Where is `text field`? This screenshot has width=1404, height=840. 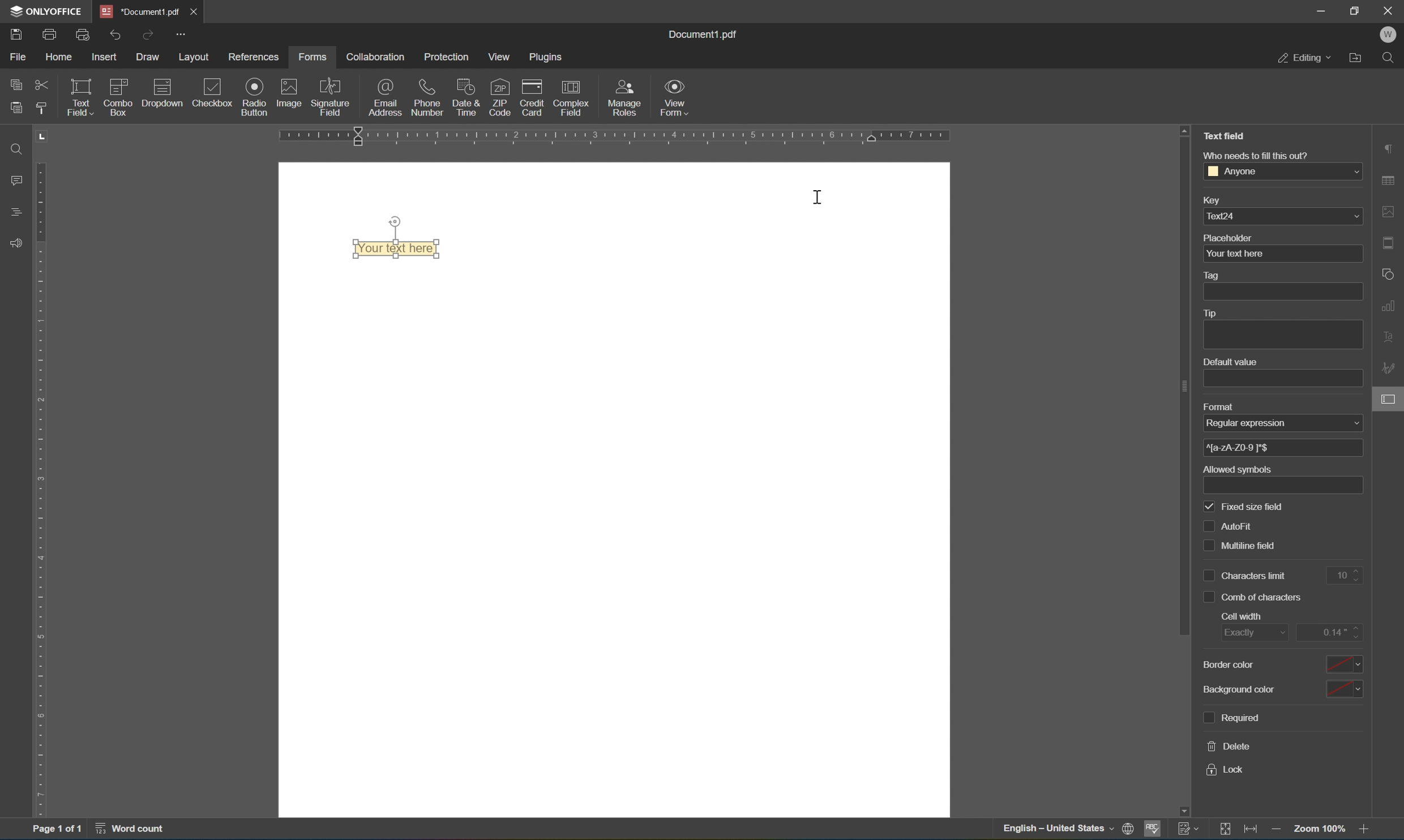
text field is located at coordinates (1228, 135).